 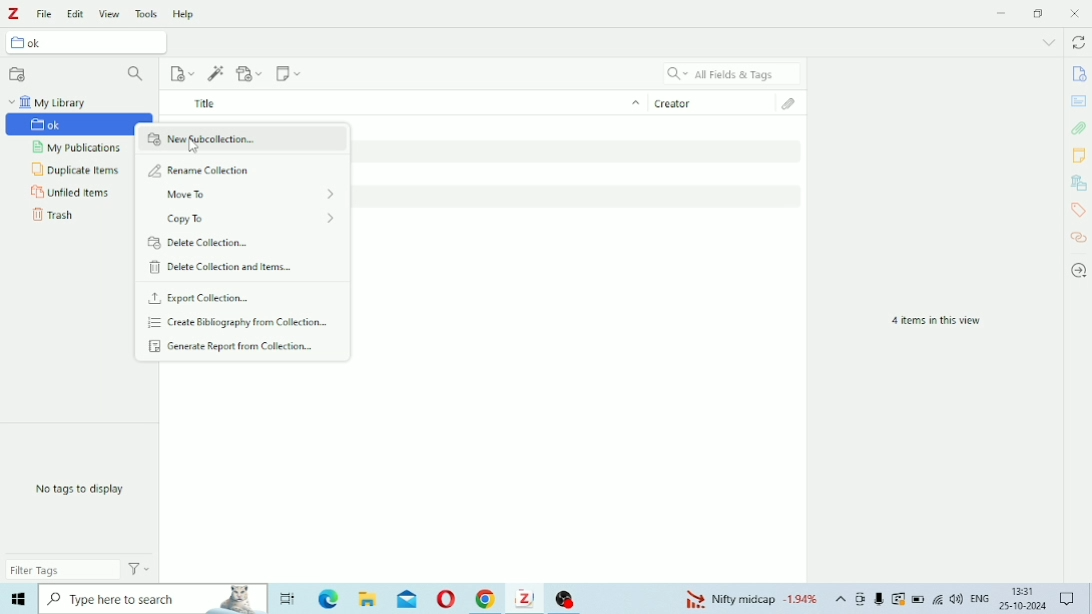 What do you see at coordinates (139, 568) in the screenshot?
I see `Actions` at bounding box center [139, 568].